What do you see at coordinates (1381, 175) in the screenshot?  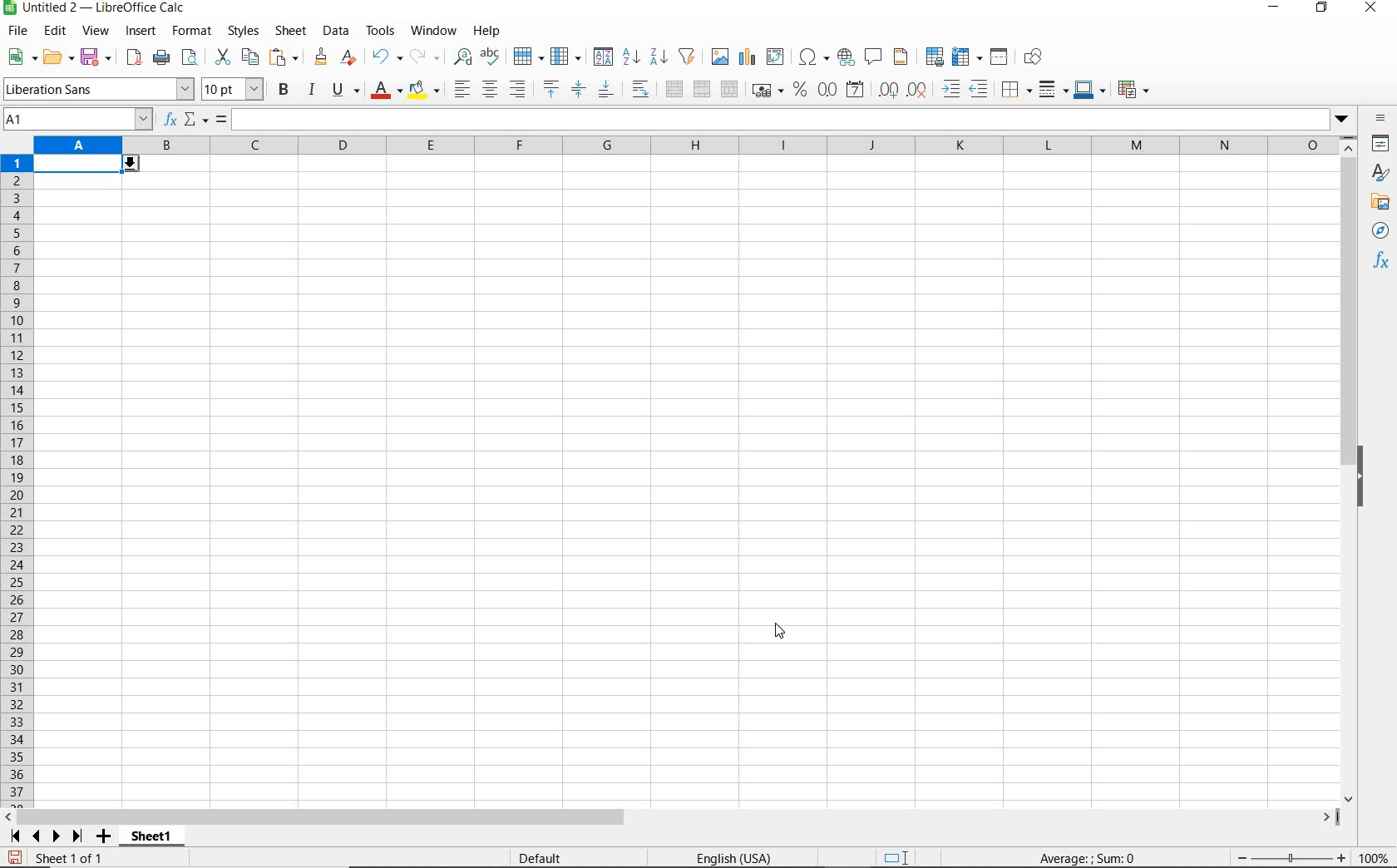 I see `styles` at bounding box center [1381, 175].